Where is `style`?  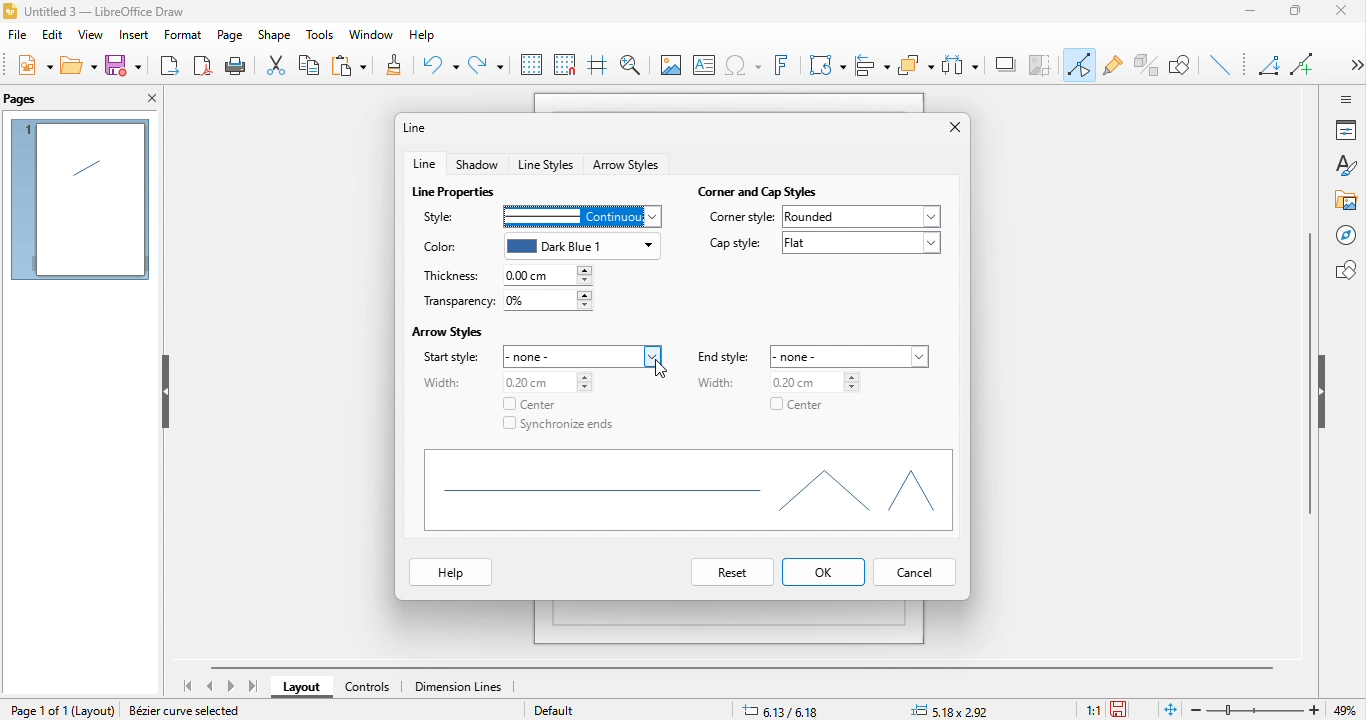
style is located at coordinates (444, 215).